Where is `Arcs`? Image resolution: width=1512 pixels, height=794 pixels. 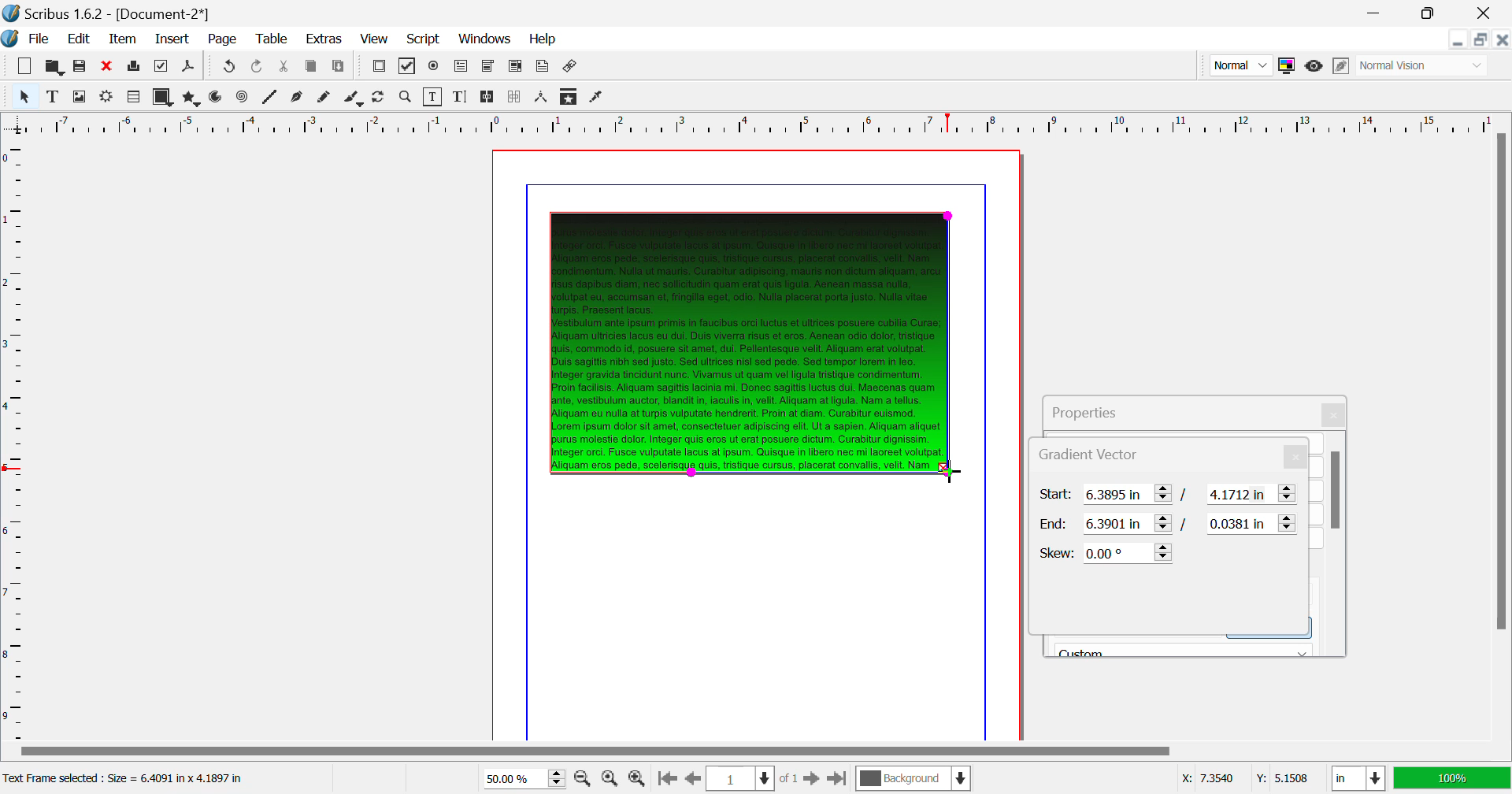 Arcs is located at coordinates (217, 98).